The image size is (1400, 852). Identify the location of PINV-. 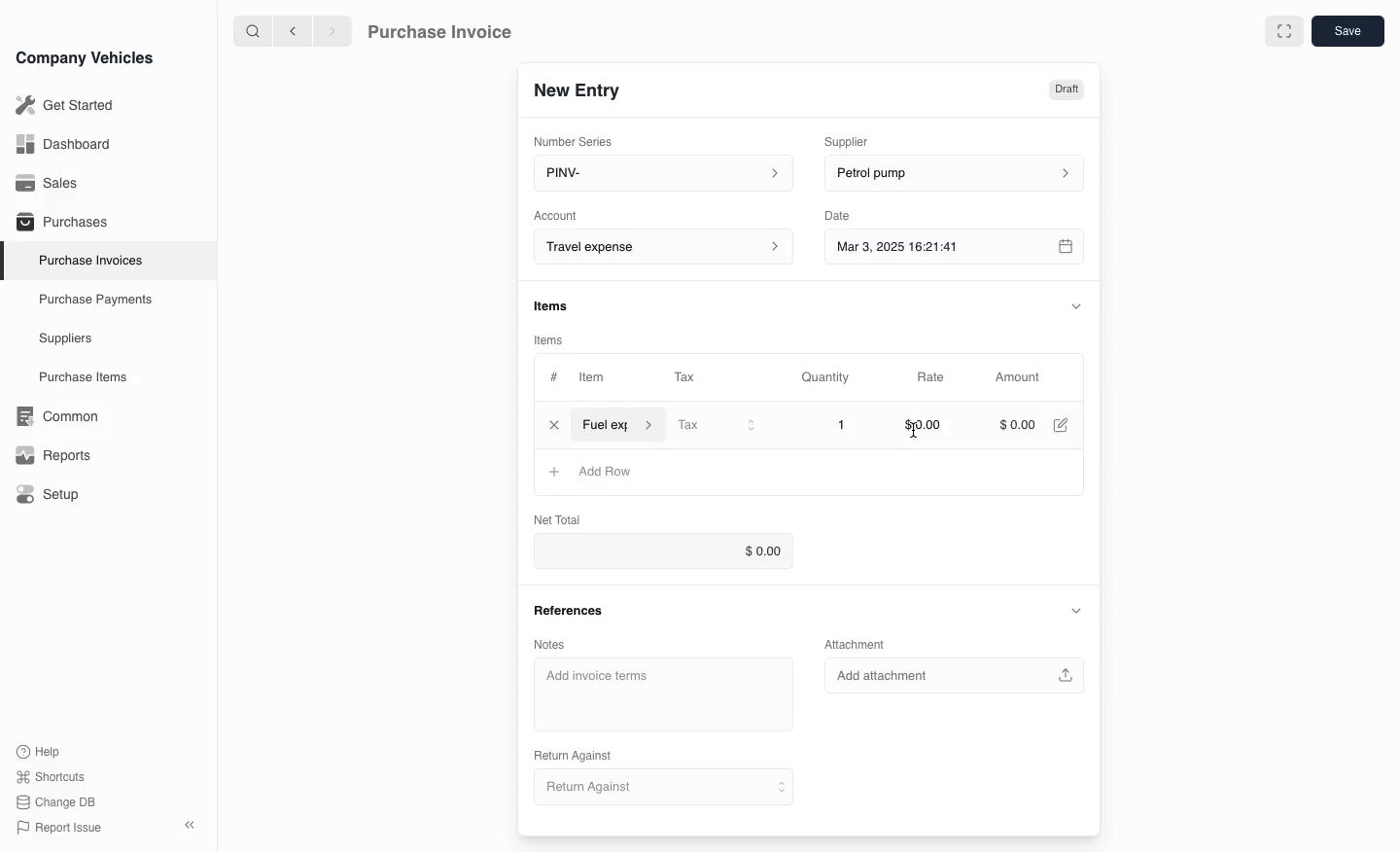
(657, 175).